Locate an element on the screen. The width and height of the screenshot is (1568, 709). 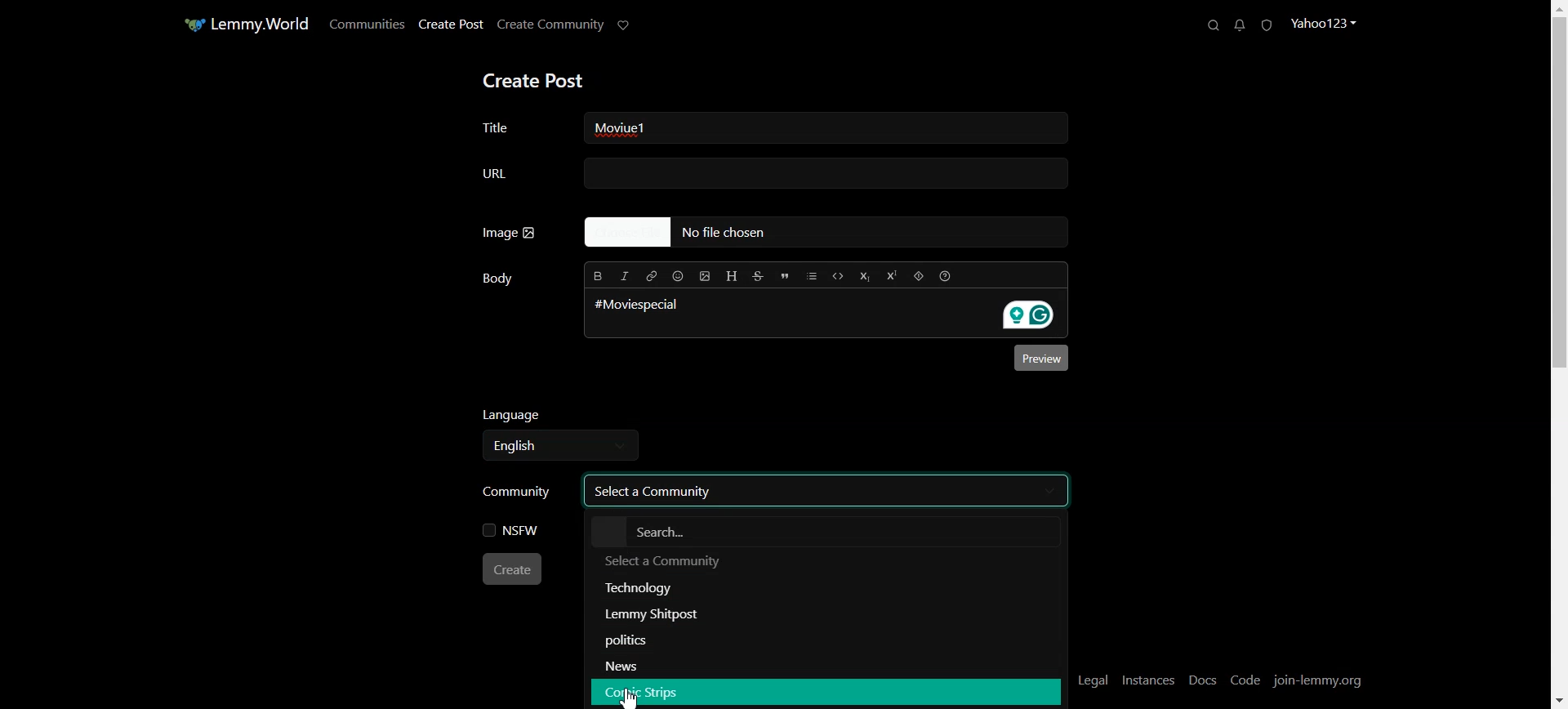
Unread Report is located at coordinates (1267, 25).